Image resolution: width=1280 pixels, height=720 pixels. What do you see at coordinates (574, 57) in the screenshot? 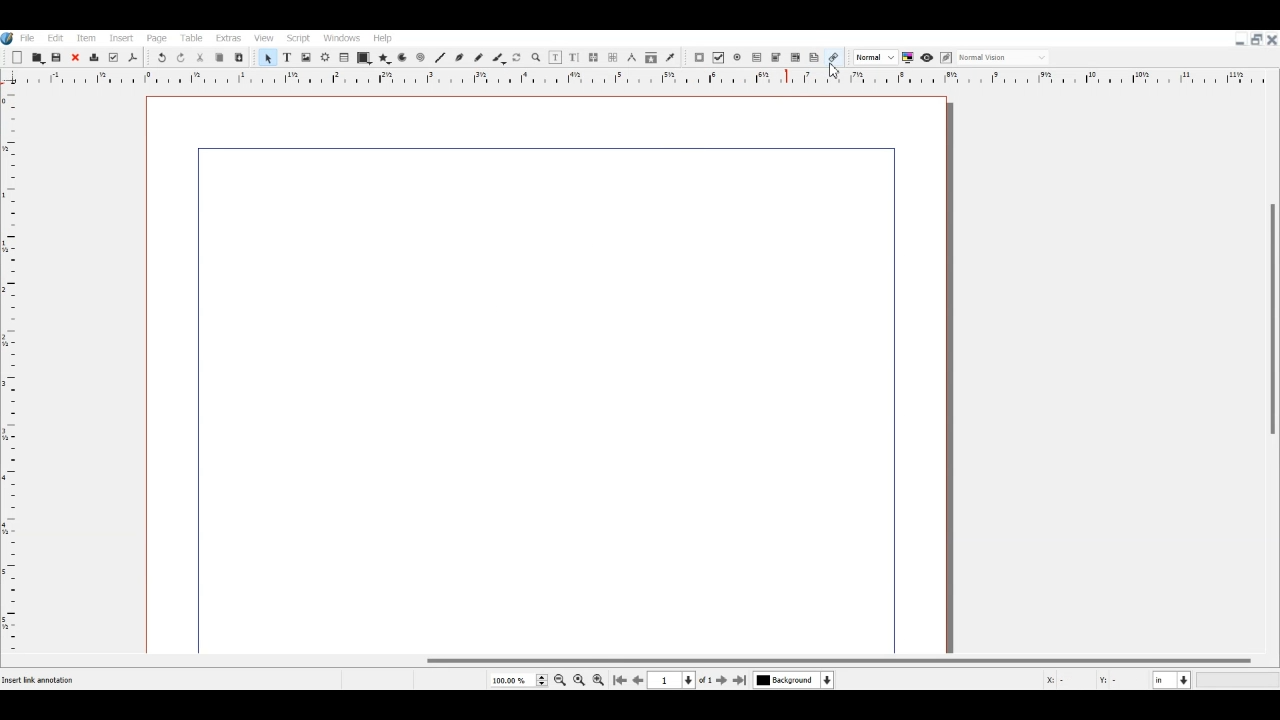
I see `Edit Text` at bounding box center [574, 57].